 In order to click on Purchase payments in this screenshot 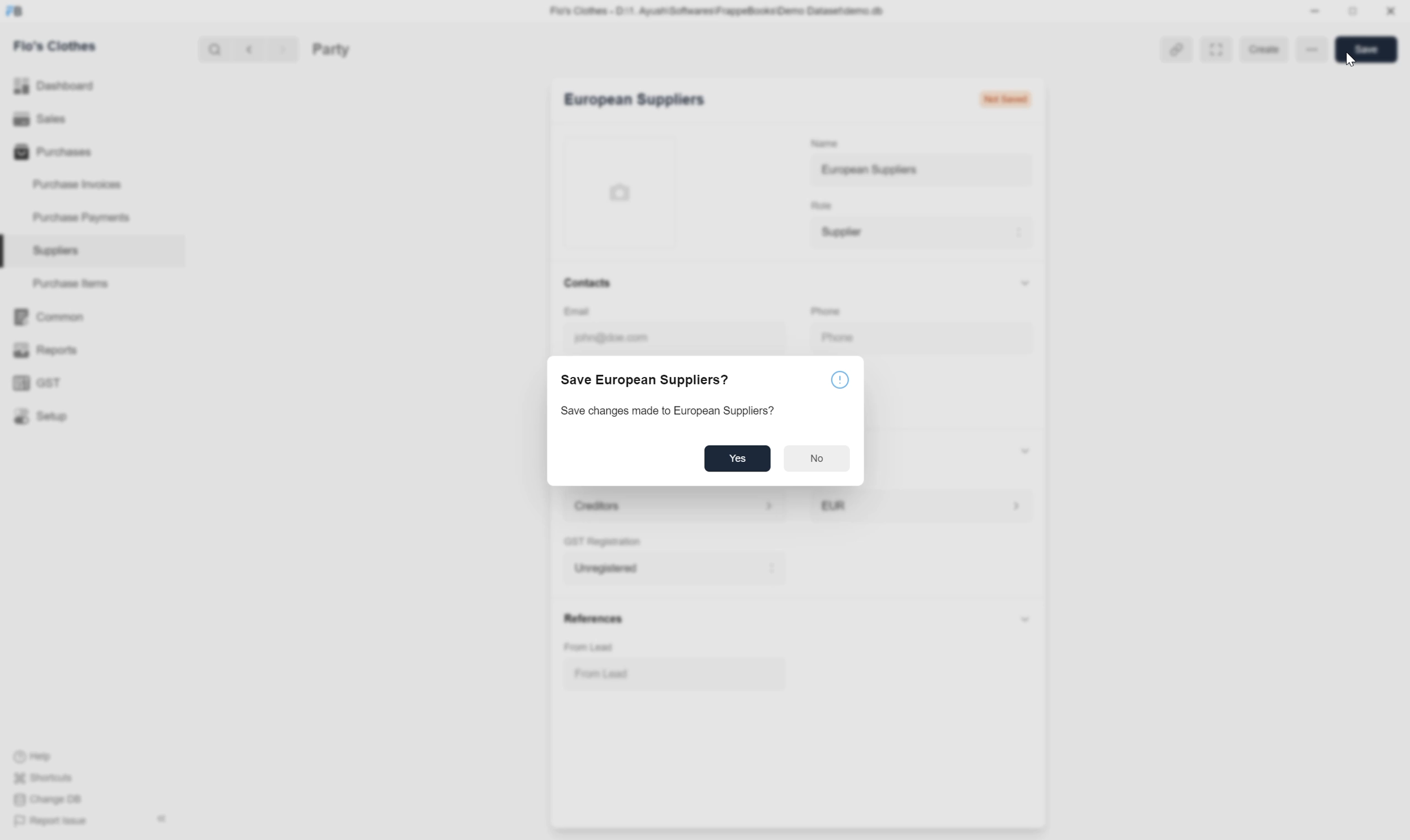, I will do `click(70, 217)`.